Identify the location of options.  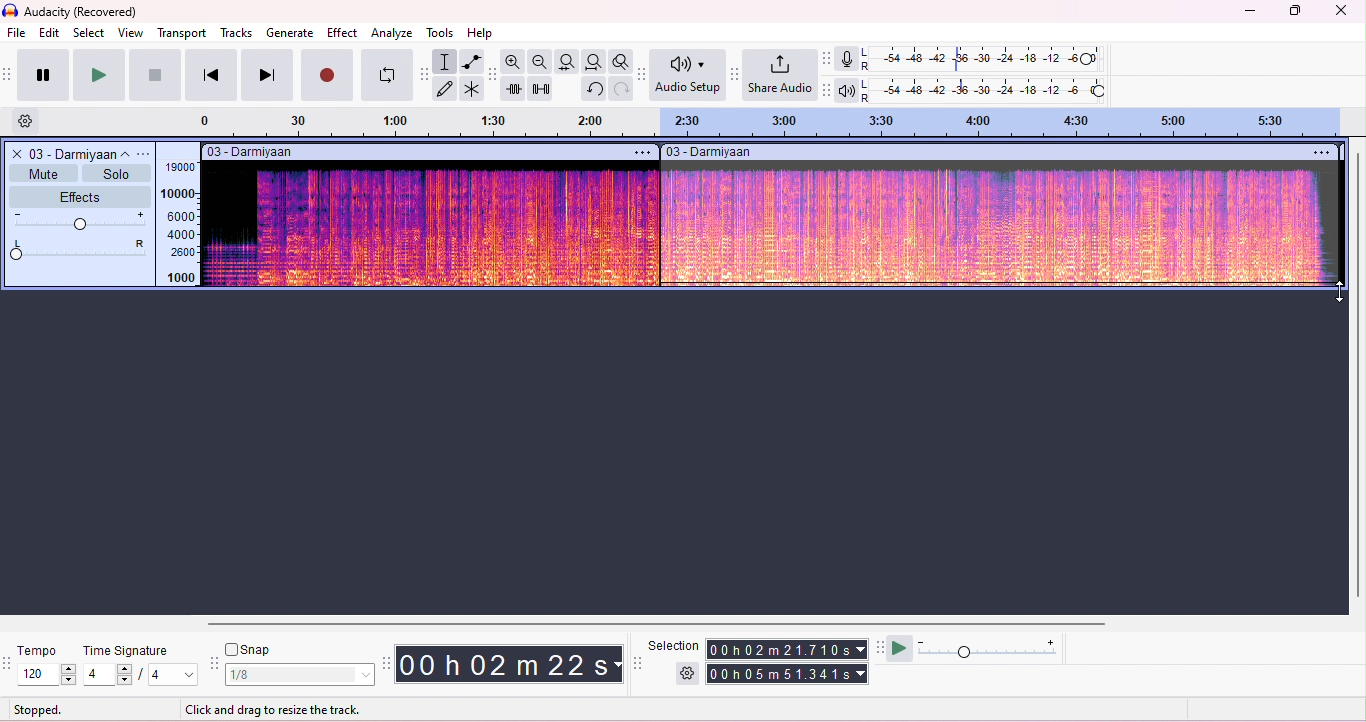
(147, 153).